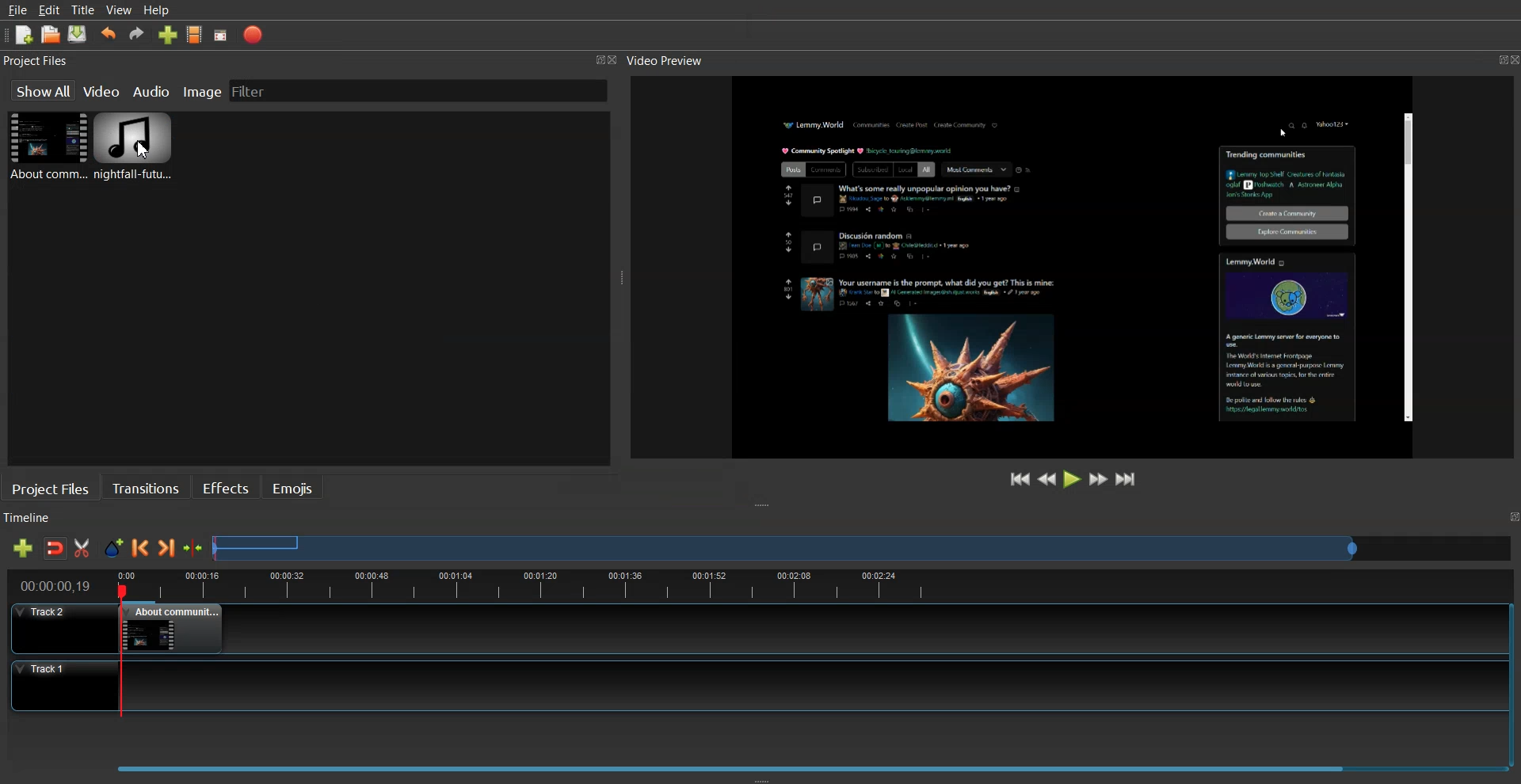 This screenshot has width=1521, height=784. Describe the element at coordinates (133, 149) in the screenshot. I see `Audio Clip added` at that location.